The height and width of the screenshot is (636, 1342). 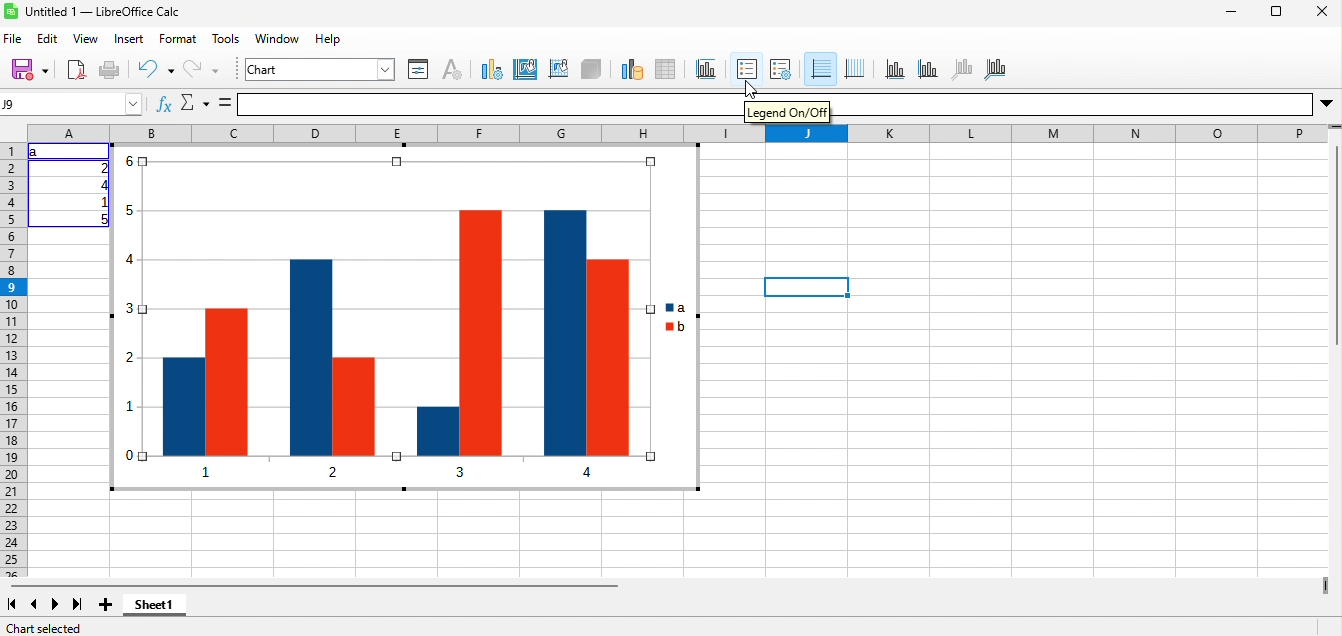 I want to click on chart wall, so click(x=559, y=70).